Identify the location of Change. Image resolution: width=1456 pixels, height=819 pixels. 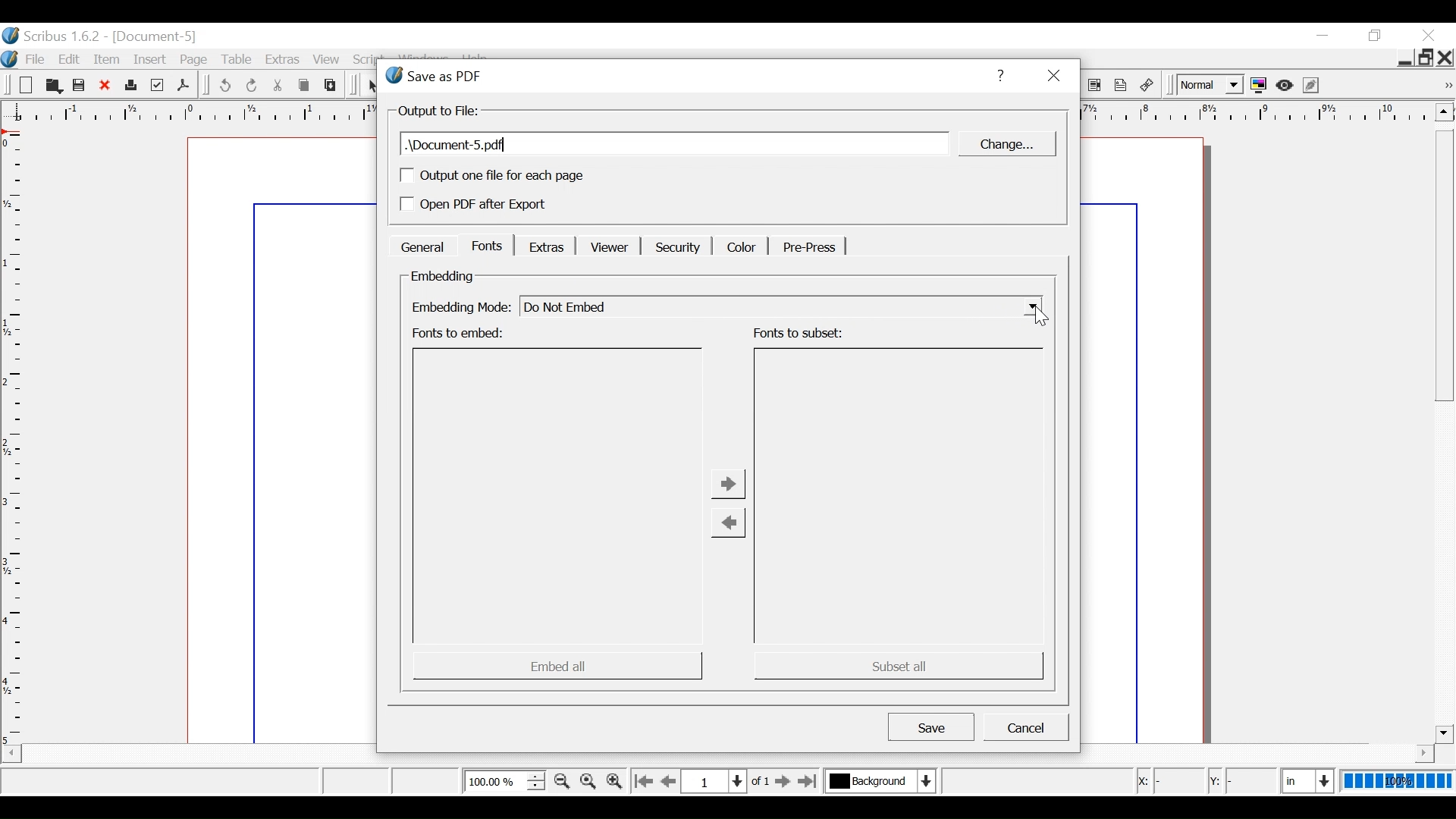
(1005, 144).